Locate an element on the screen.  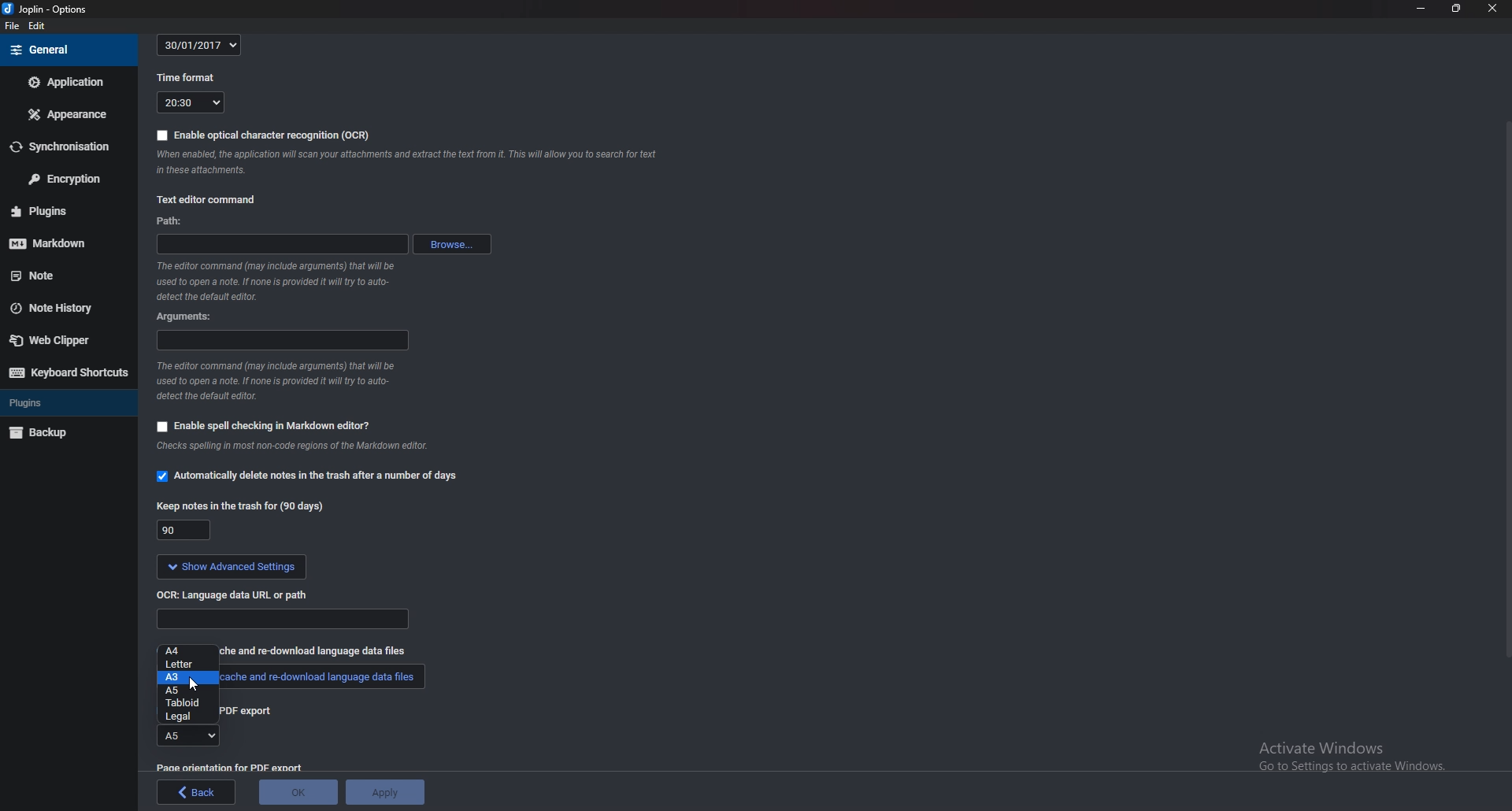
Application is located at coordinates (67, 83).